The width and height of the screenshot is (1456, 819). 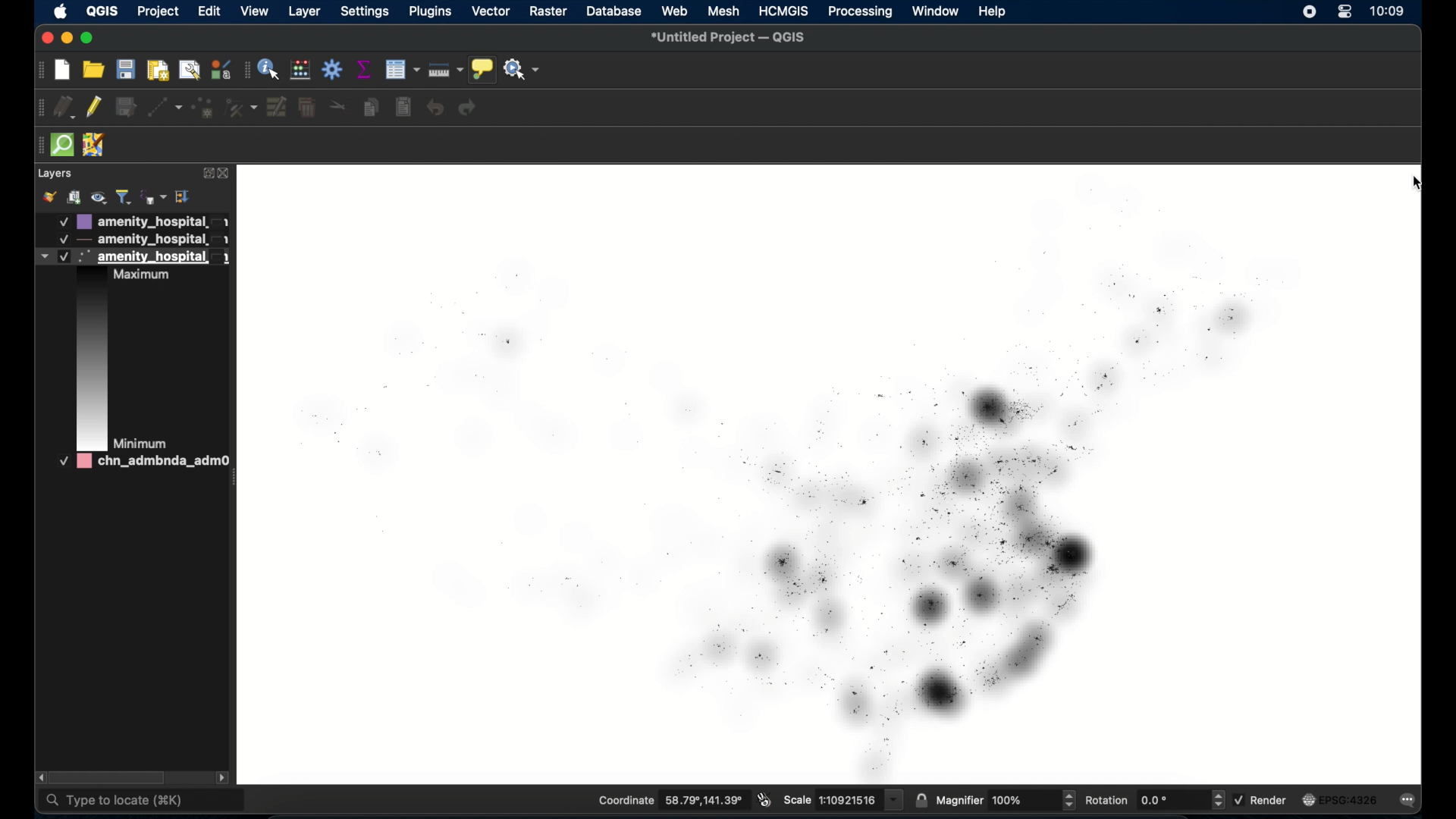 What do you see at coordinates (157, 13) in the screenshot?
I see `project` at bounding box center [157, 13].